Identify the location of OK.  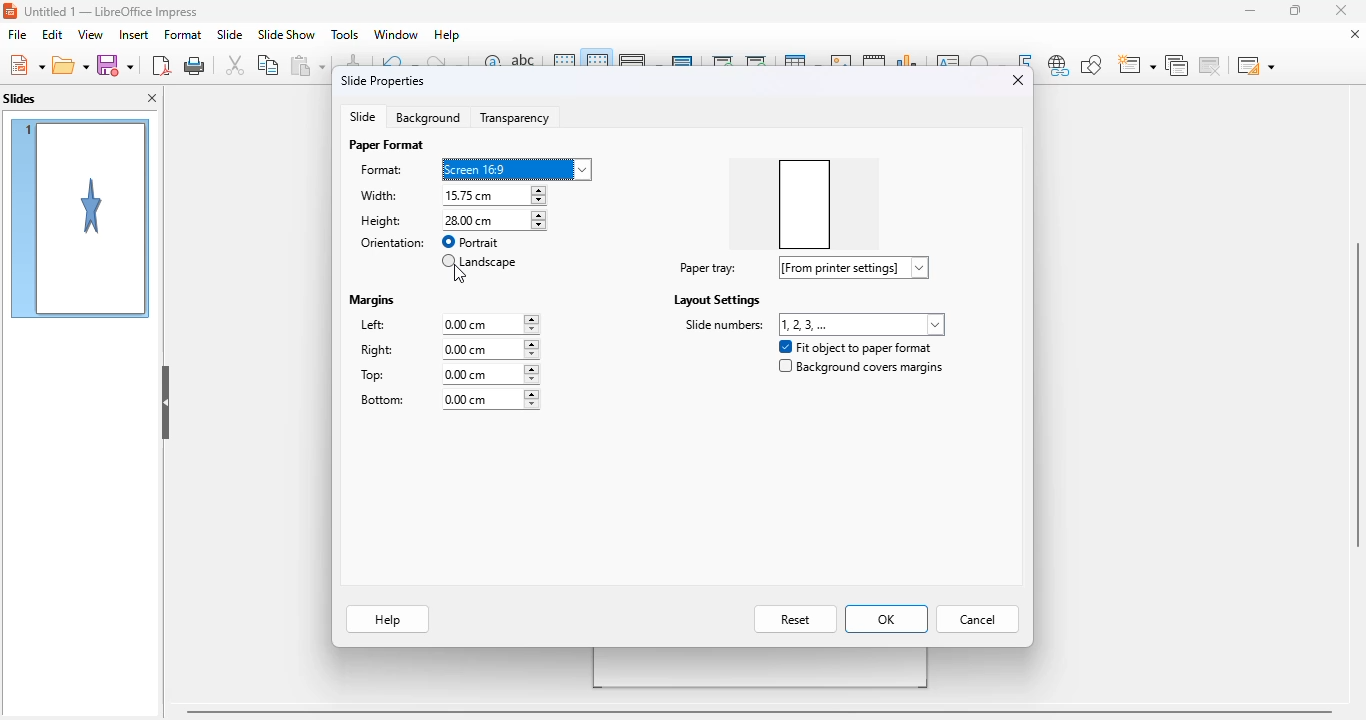
(887, 619).